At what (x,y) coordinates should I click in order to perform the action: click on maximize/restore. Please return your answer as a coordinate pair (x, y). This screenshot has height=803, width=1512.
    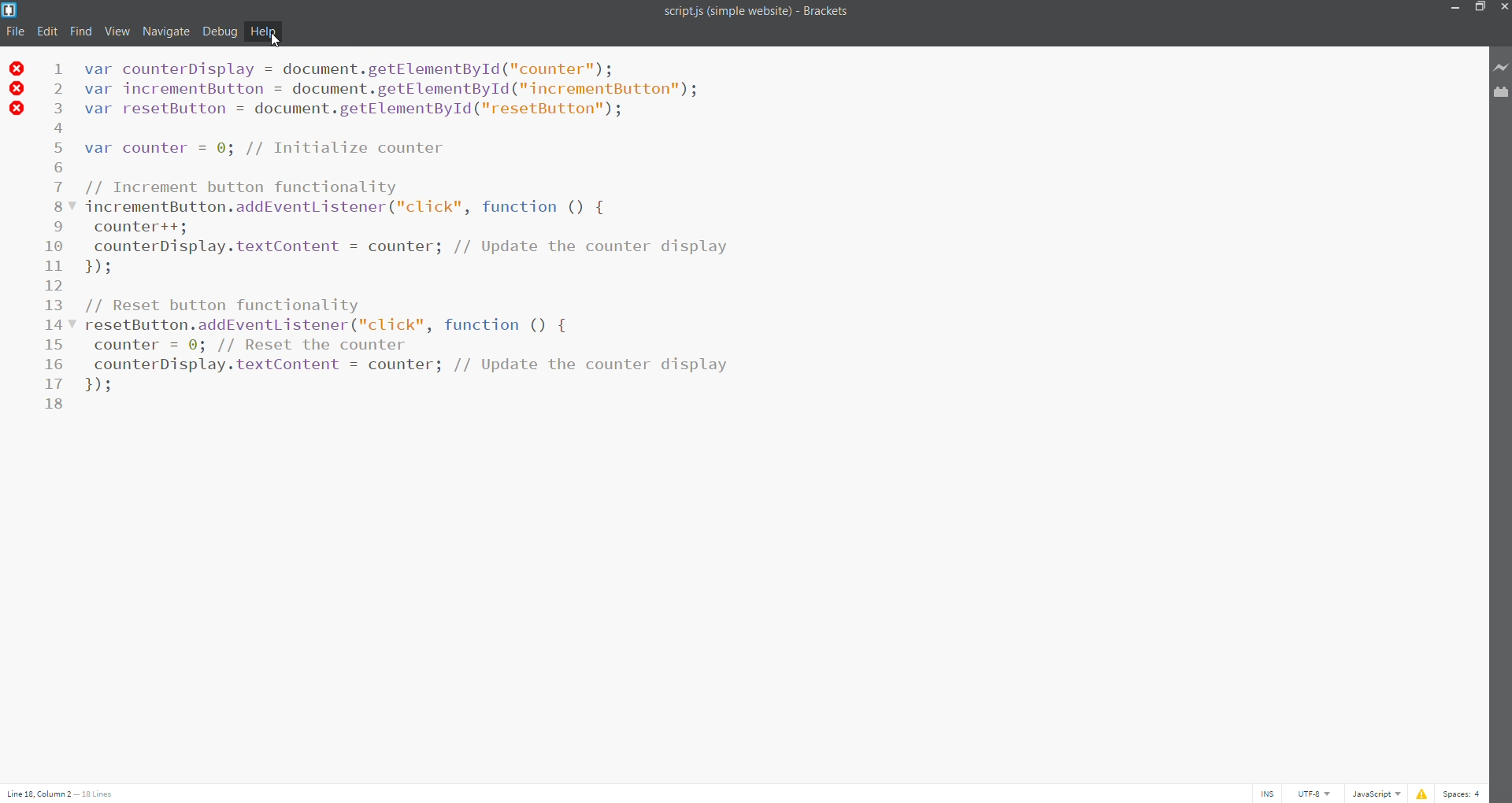
    Looking at the image, I should click on (1477, 8).